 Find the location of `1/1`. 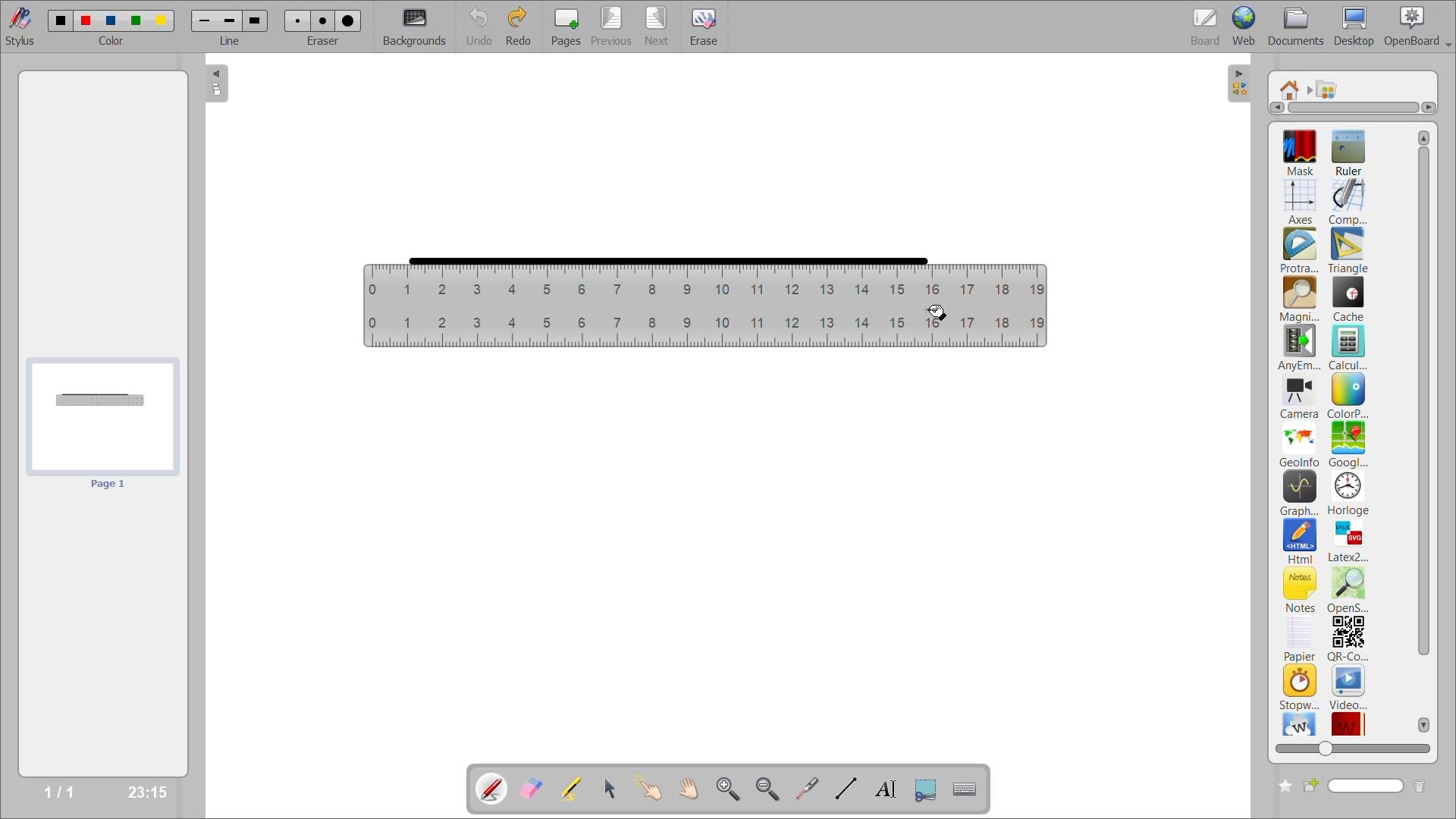

1/1 is located at coordinates (64, 792).